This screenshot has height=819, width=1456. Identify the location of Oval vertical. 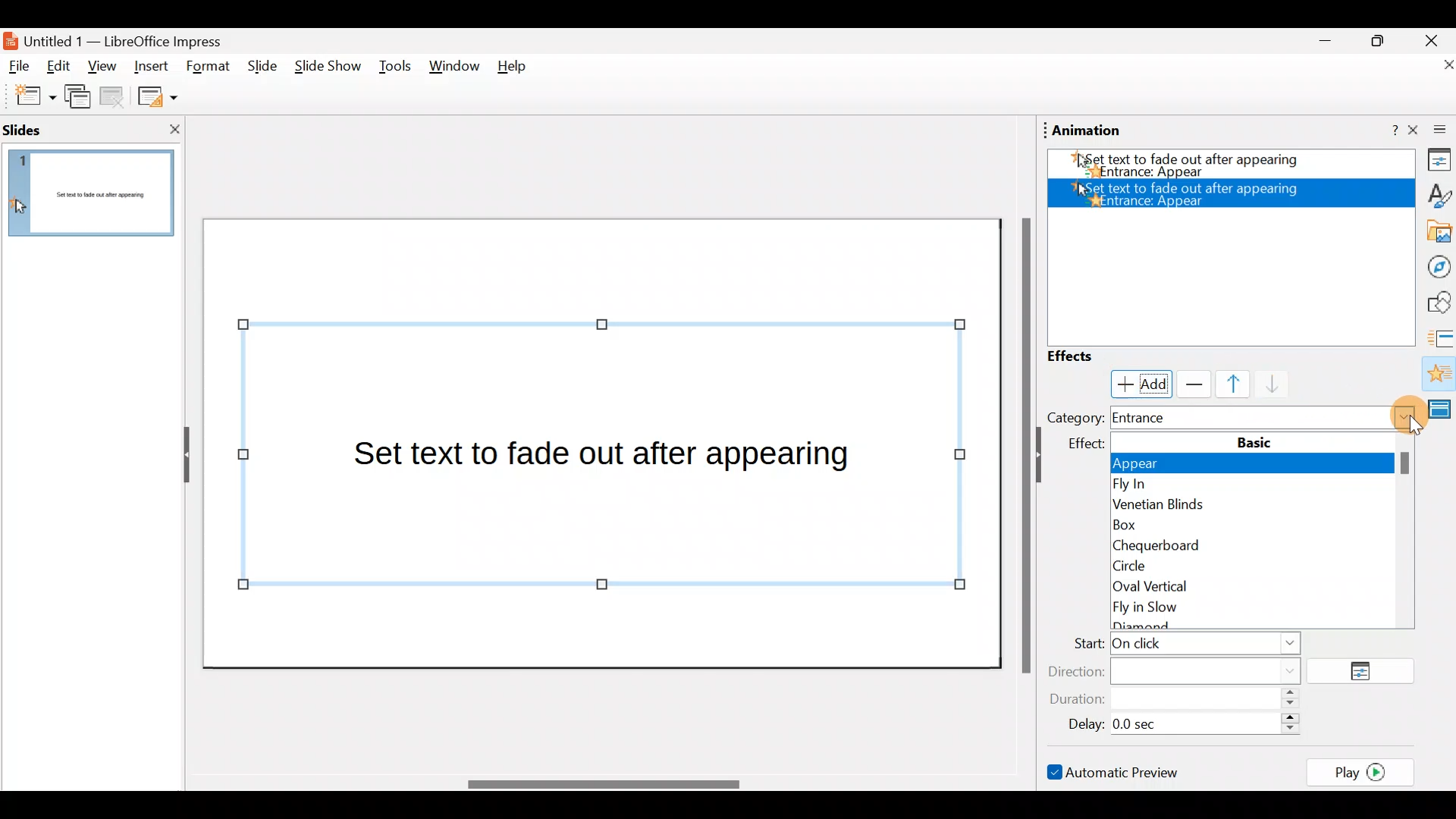
(1257, 586).